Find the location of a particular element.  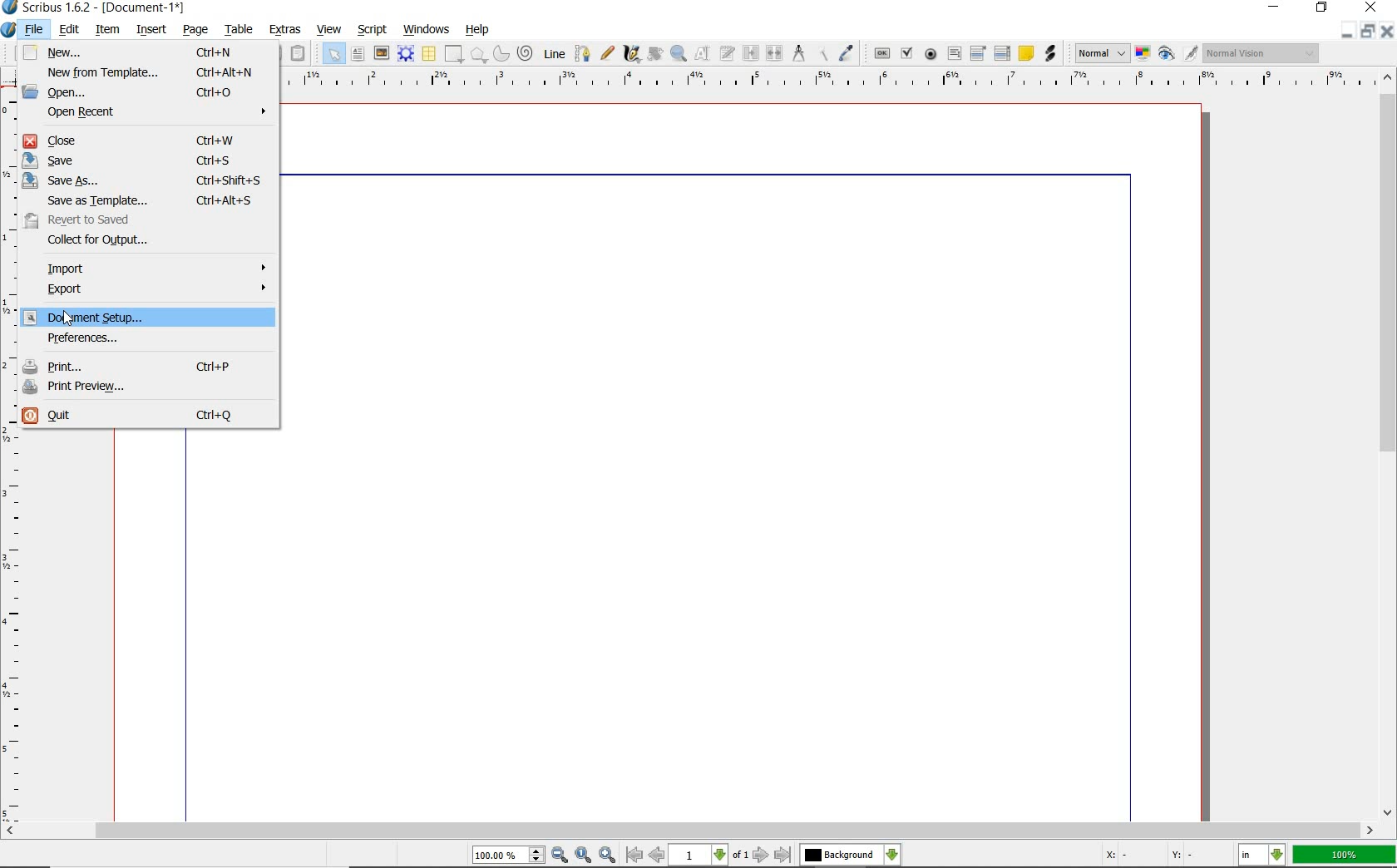

visual appearance of the display is located at coordinates (1262, 52).